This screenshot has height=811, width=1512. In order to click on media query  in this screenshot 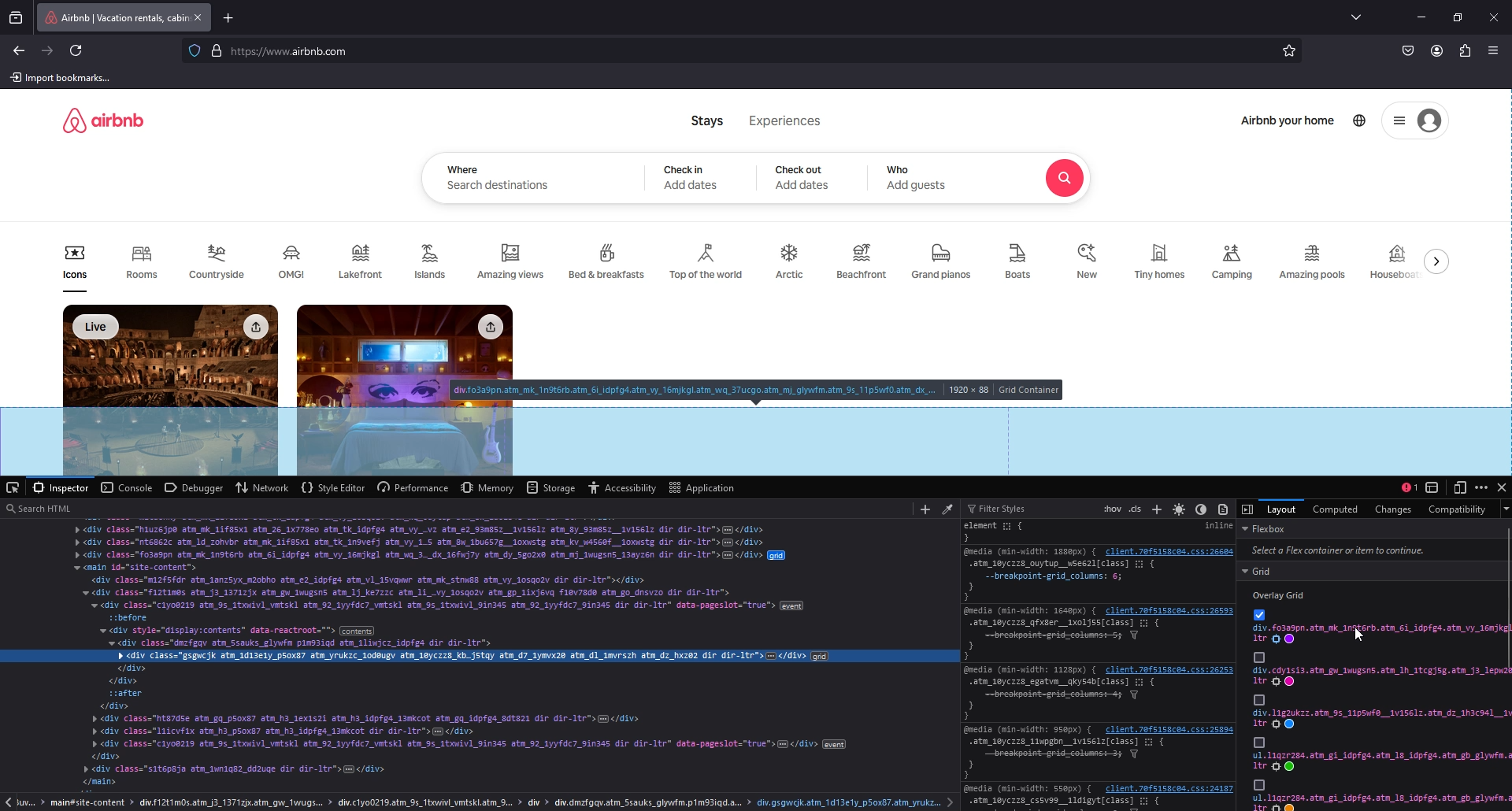, I will do `click(1030, 729)`.